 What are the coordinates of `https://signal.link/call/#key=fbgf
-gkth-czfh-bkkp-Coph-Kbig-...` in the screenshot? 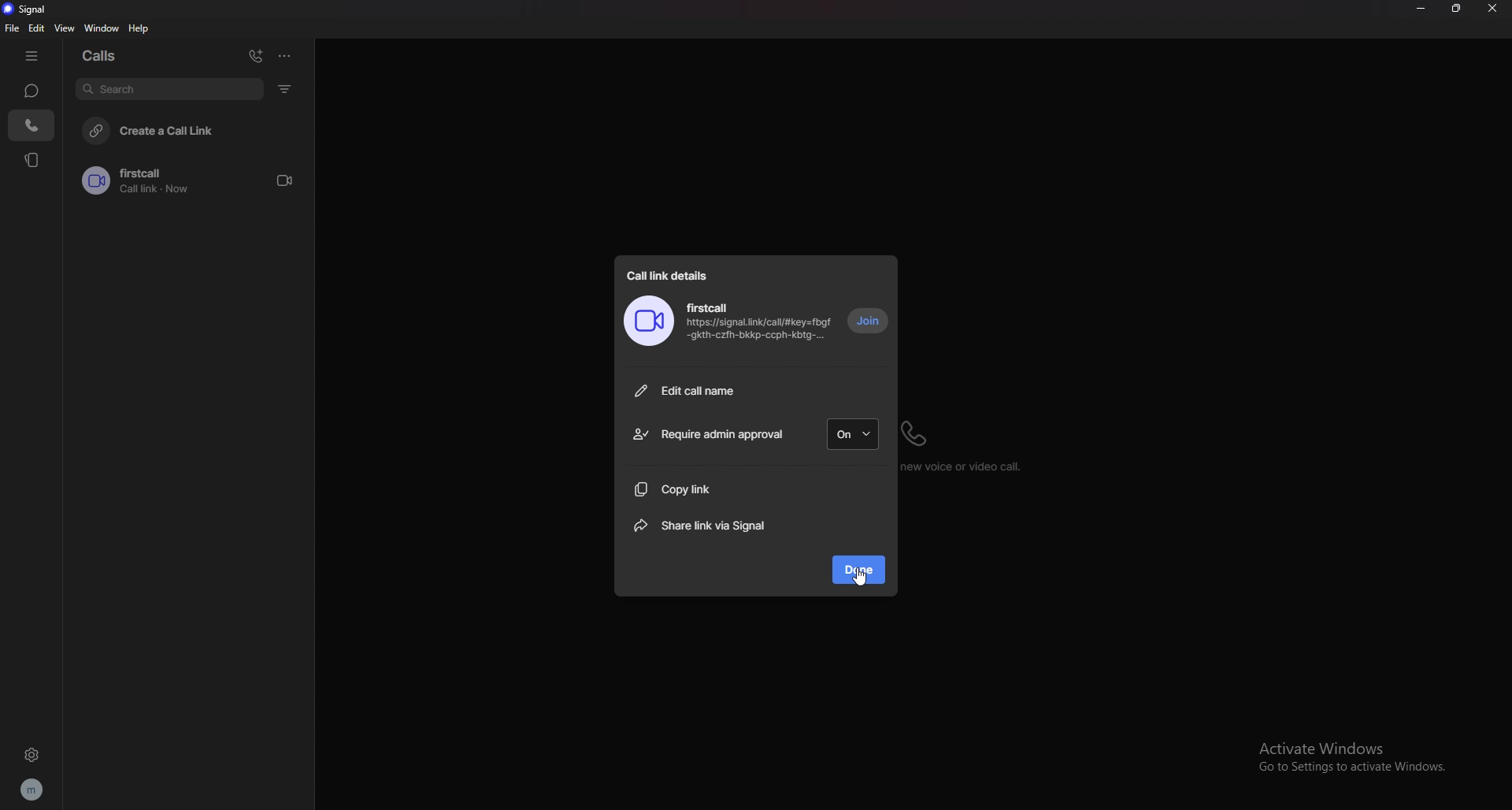 It's located at (760, 333).